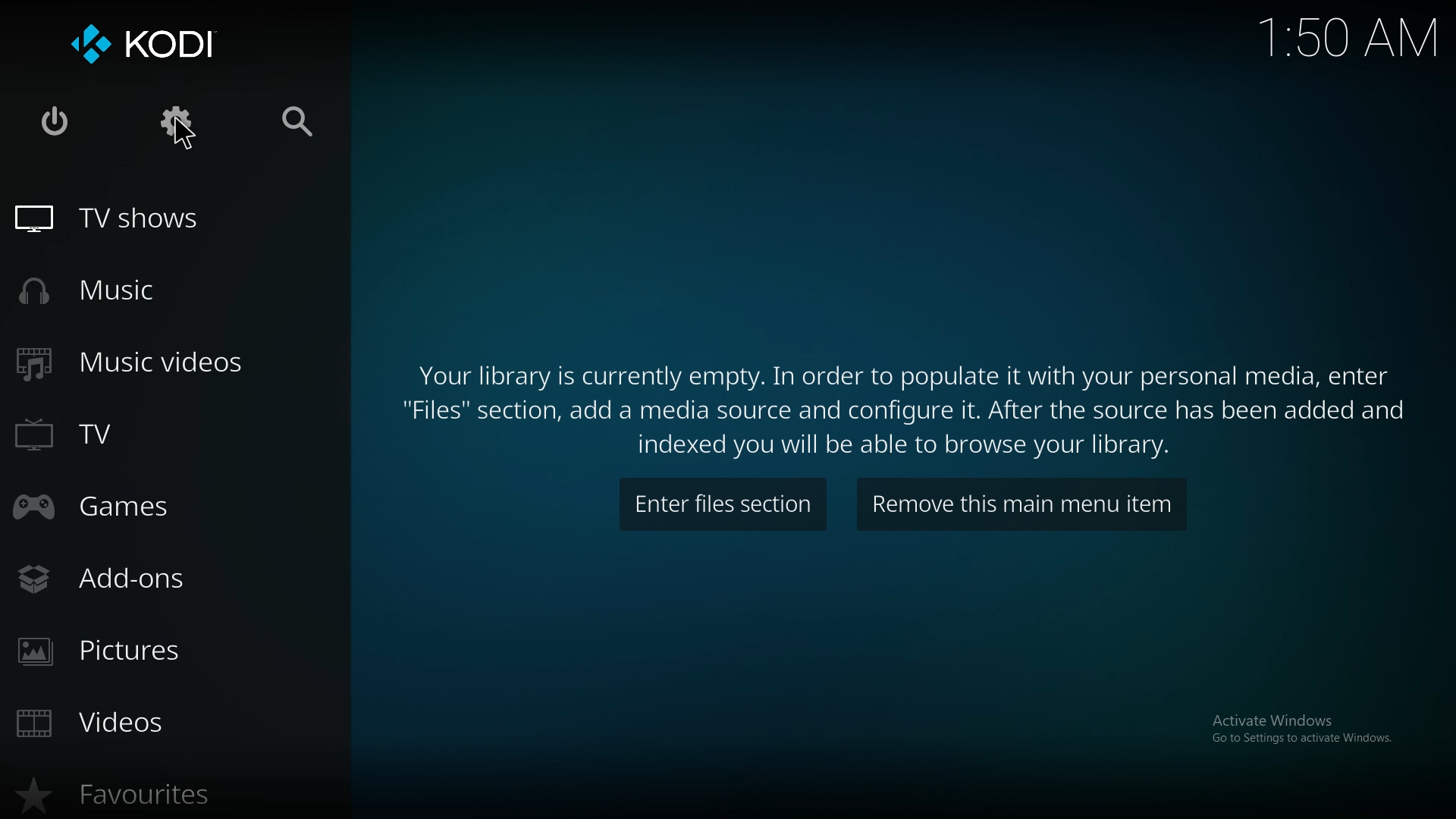 The image size is (1456, 819). Describe the element at coordinates (1351, 37) in the screenshot. I see `1:50 AM` at that location.